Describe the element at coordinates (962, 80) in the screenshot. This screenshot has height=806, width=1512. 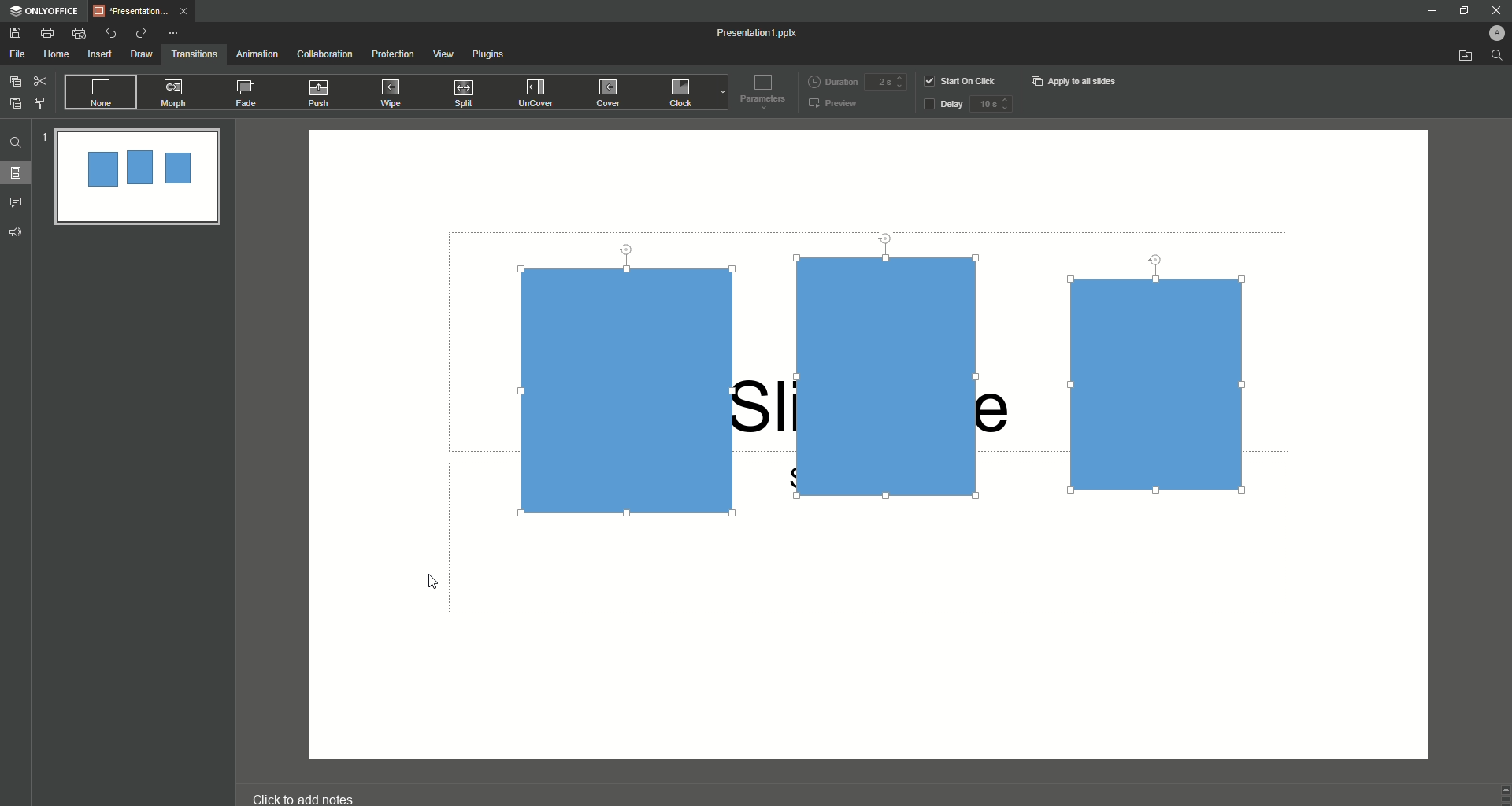
I see `Start on click` at that location.